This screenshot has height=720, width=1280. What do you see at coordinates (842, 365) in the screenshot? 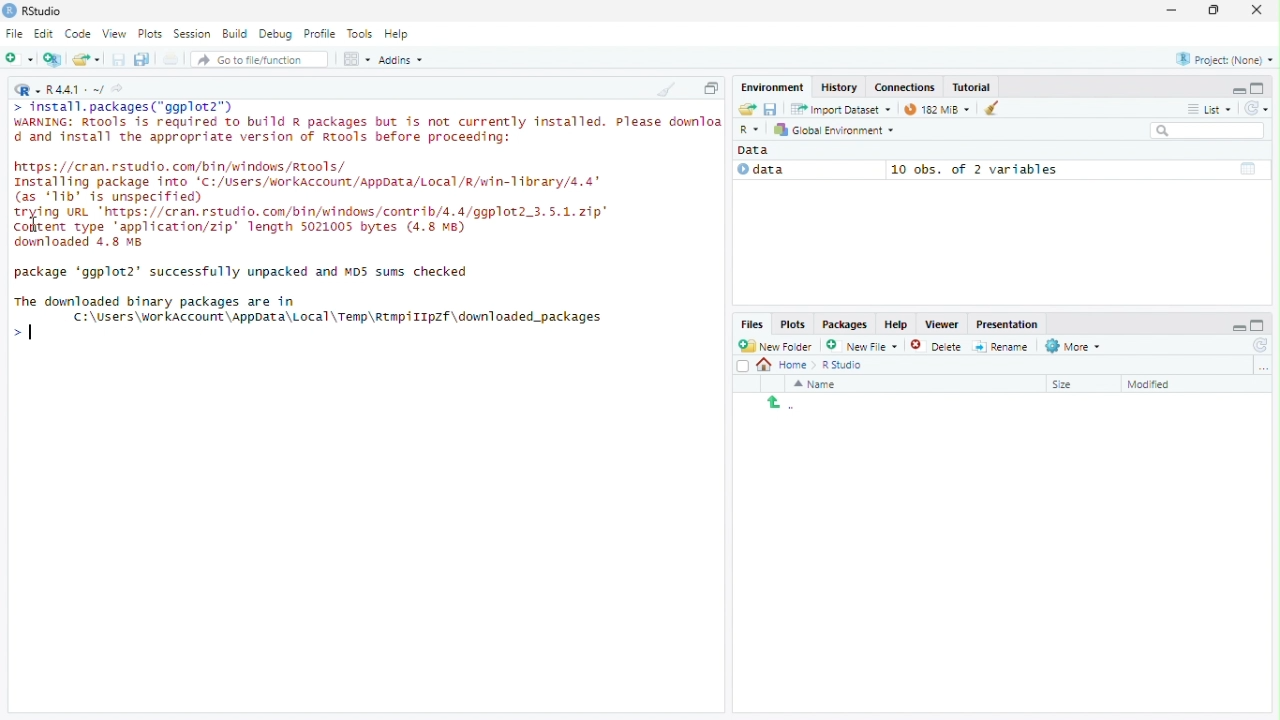
I see `R studio` at bounding box center [842, 365].